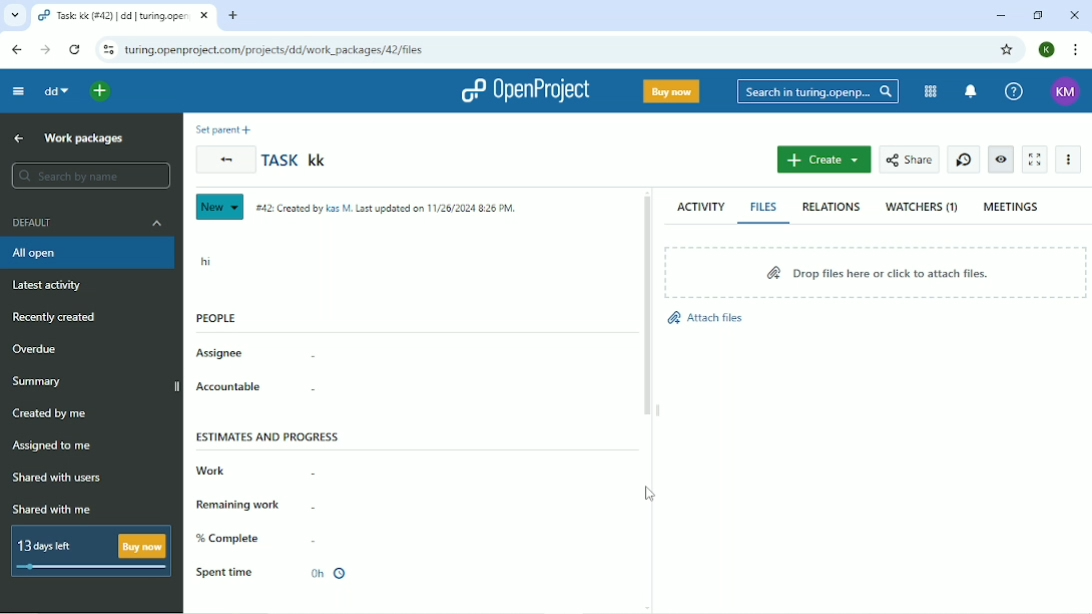 The height and width of the screenshot is (614, 1092). What do you see at coordinates (825, 159) in the screenshot?
I see `Create` at bounding box center [825, 159].